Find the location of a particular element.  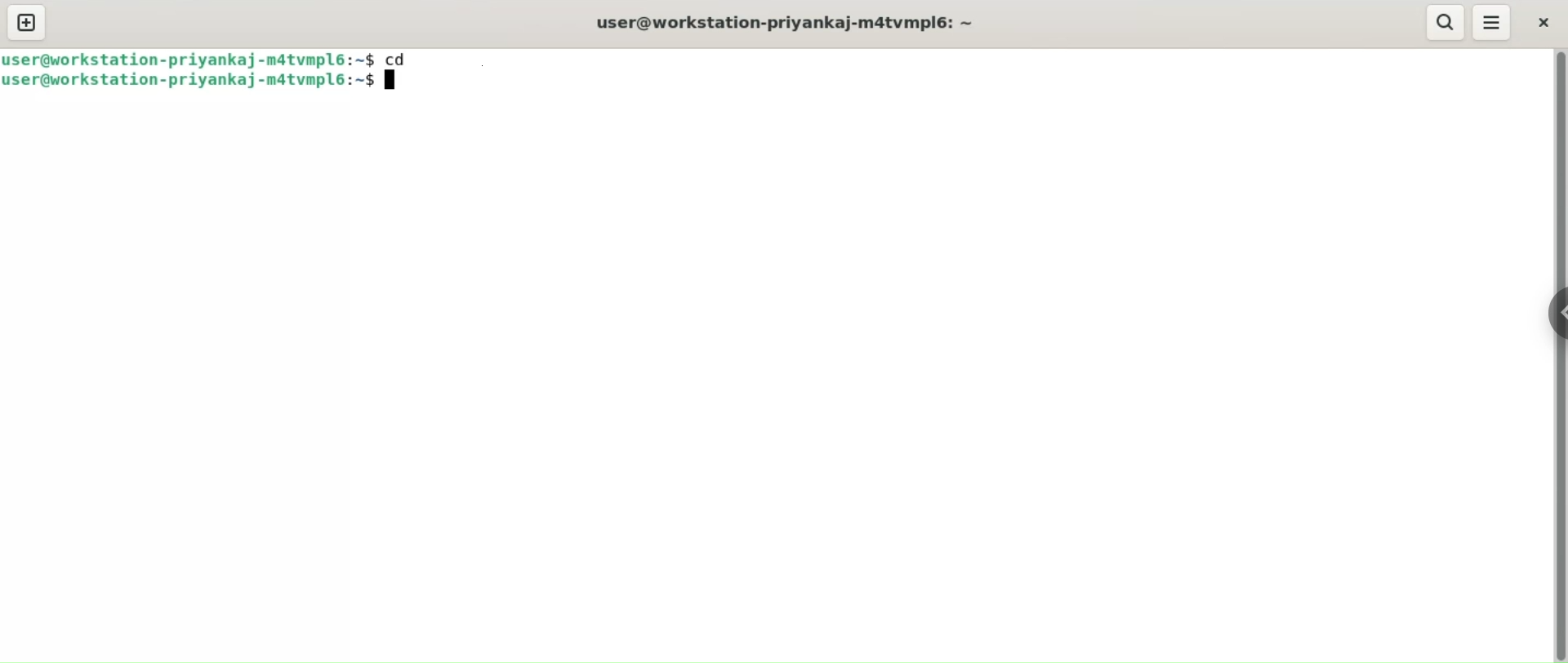

cd is located at coordinates (403, 57).